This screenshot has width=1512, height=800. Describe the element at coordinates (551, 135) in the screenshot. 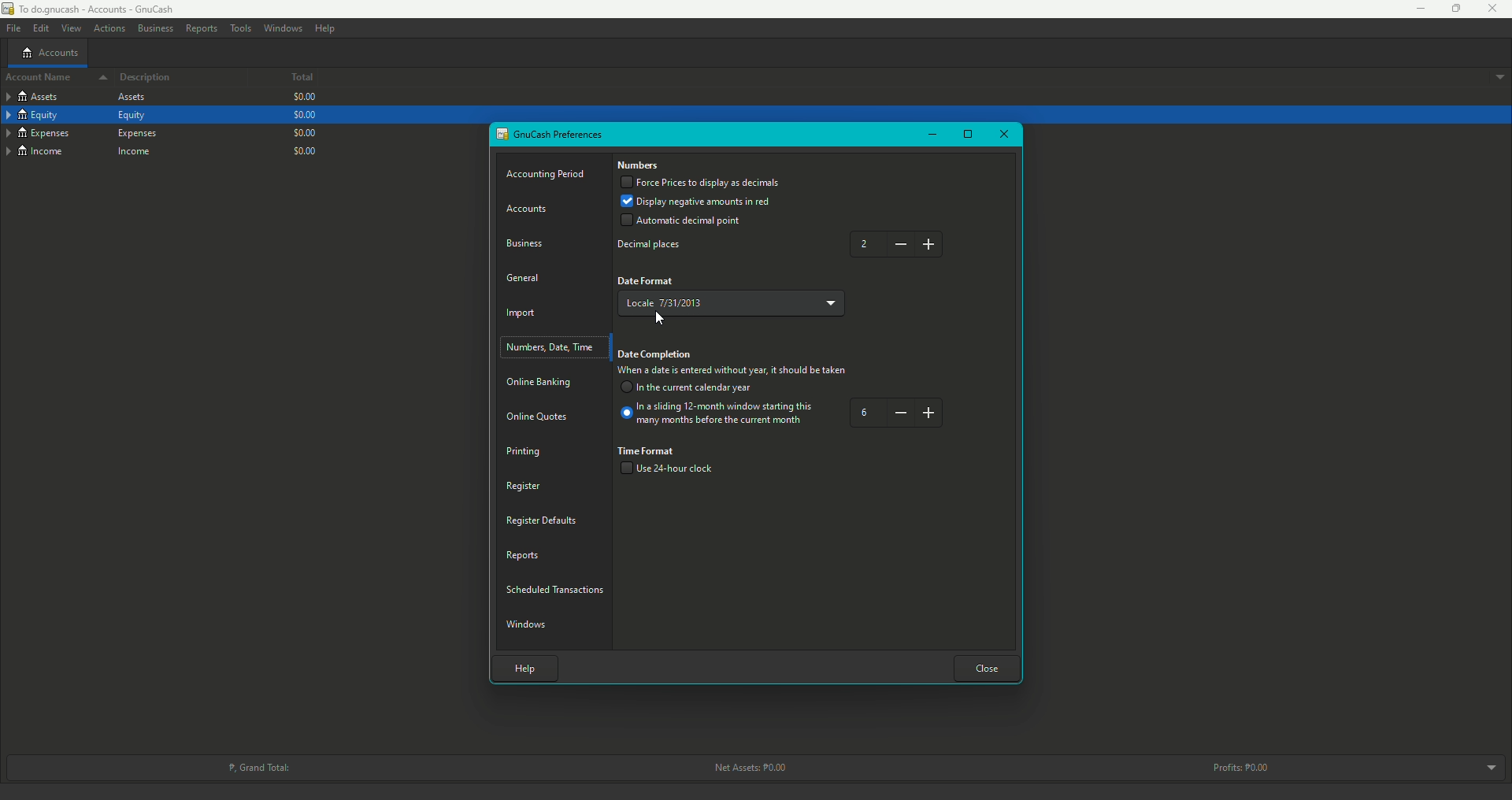

I see `Preferences` at that location.